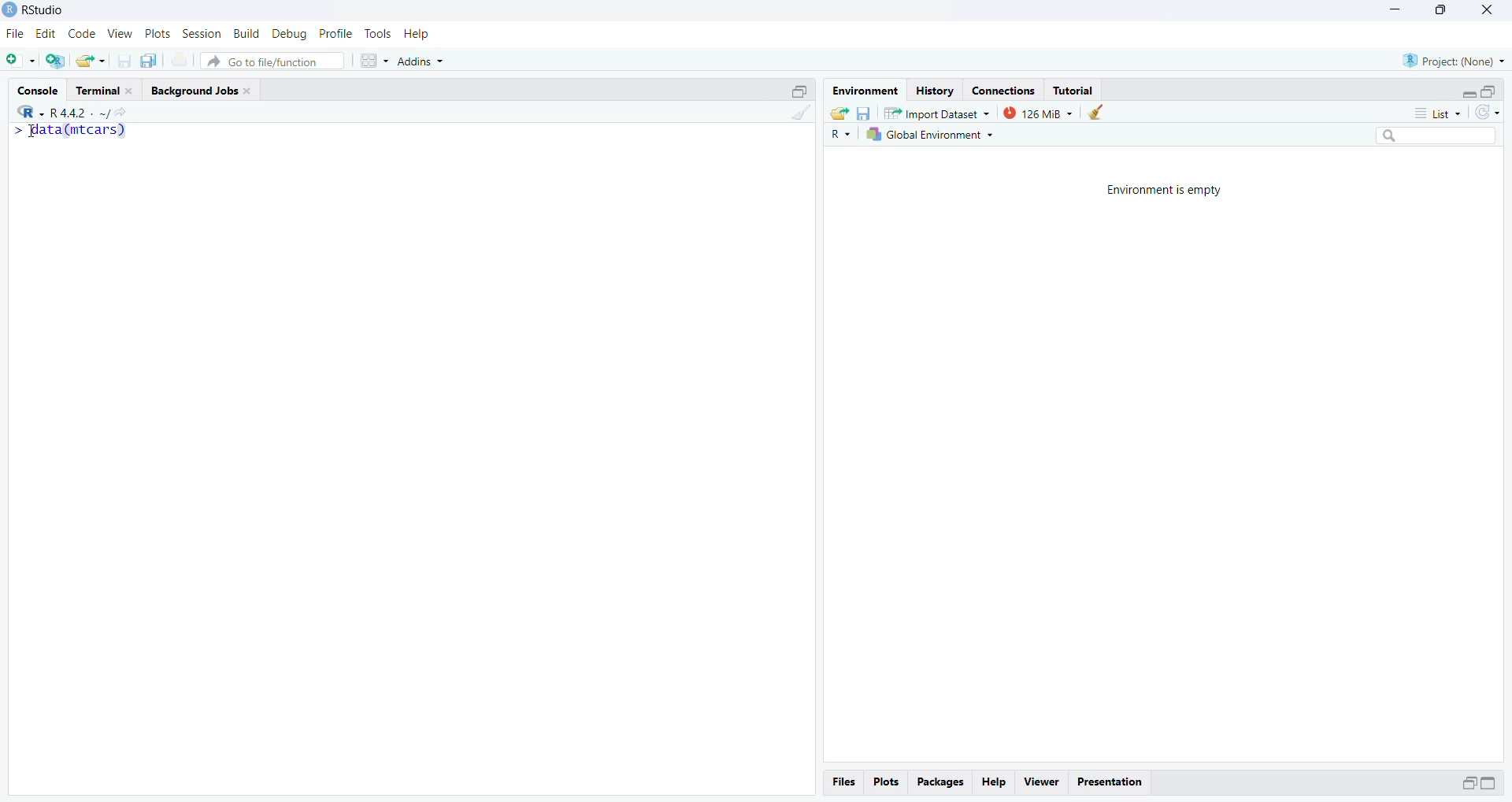 This screenshot has width=1512, height=802. I want to click on Console, so click(38, 89).